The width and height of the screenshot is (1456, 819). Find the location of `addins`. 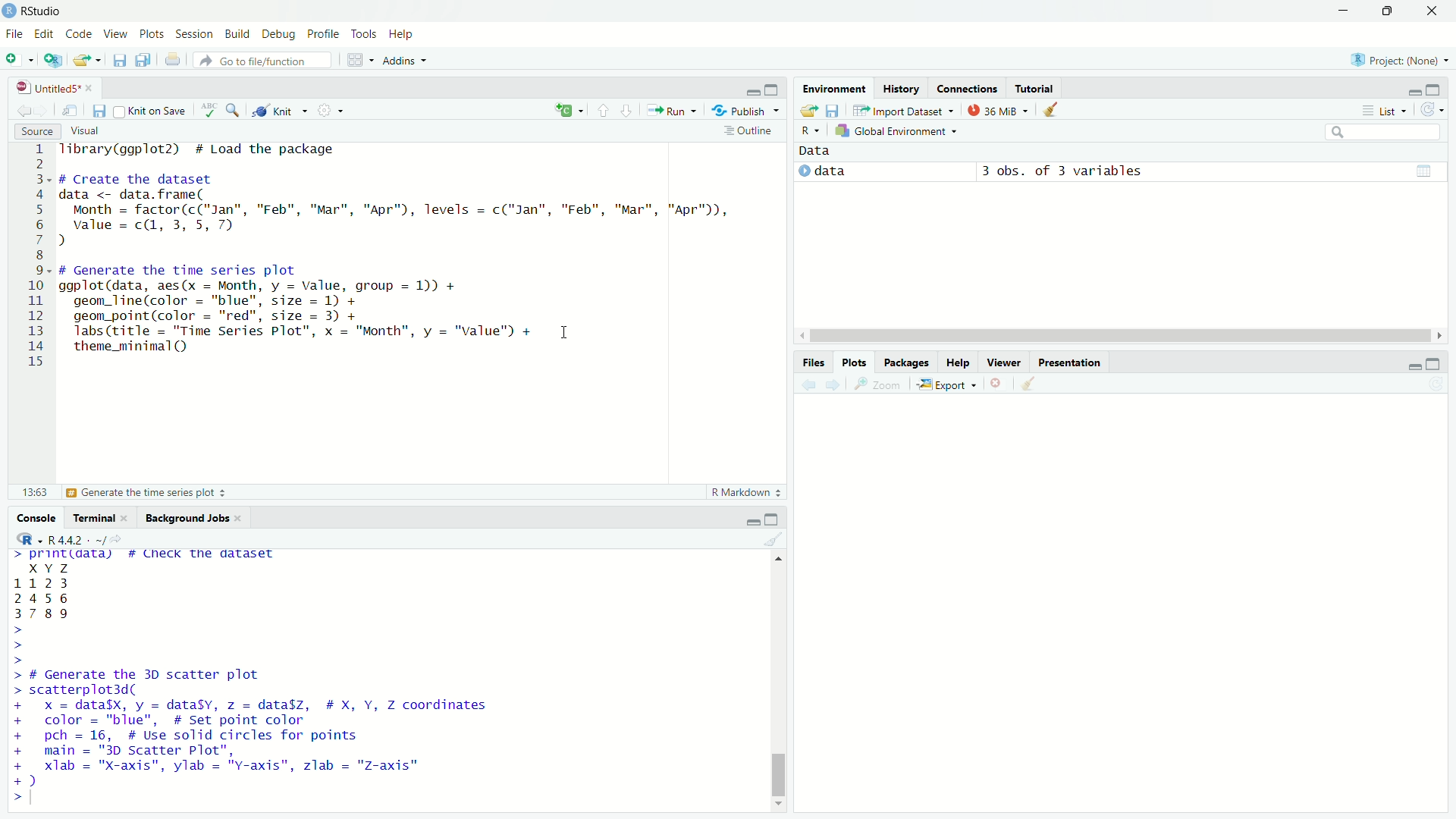

addins is located at coordinates (406, 61).